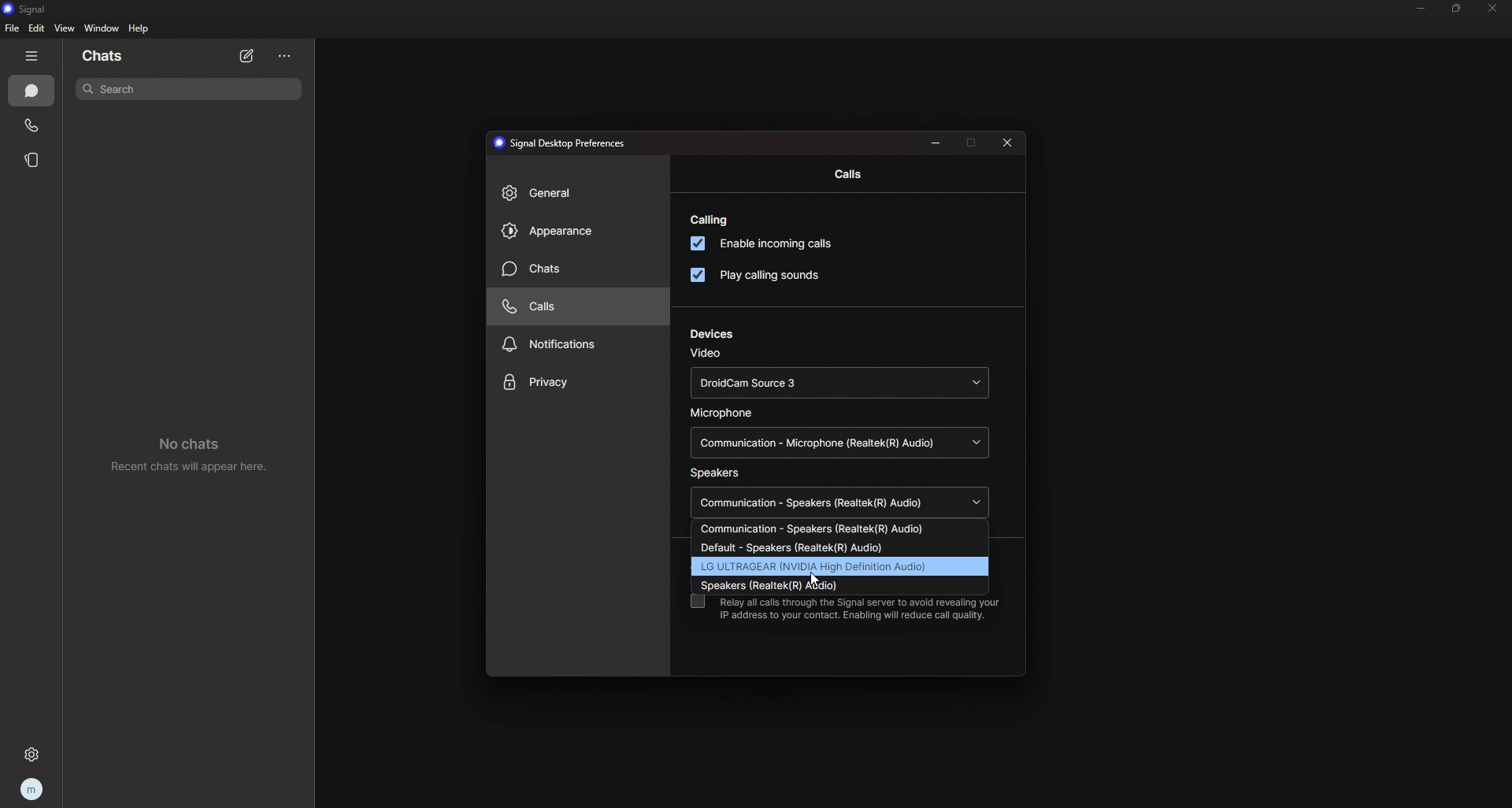 Image resolution: width=1512 pixels, height=808 pixels. Describe the element at coordinates (839, 384) in the screenshot. I see `DroidCam Source 3` at that location.